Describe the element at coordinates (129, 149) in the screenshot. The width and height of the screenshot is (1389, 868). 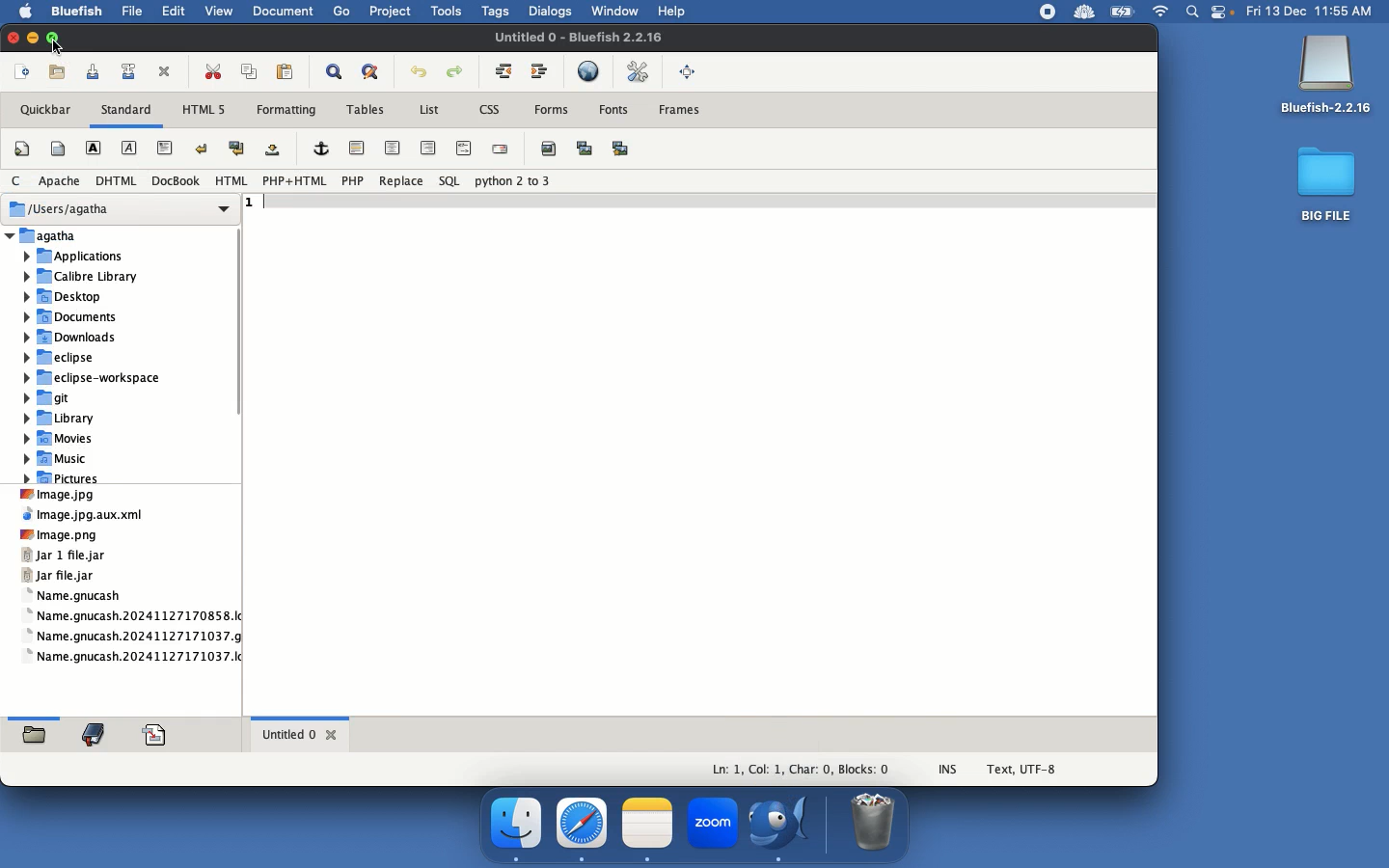
I see `Emphasis` at that location.